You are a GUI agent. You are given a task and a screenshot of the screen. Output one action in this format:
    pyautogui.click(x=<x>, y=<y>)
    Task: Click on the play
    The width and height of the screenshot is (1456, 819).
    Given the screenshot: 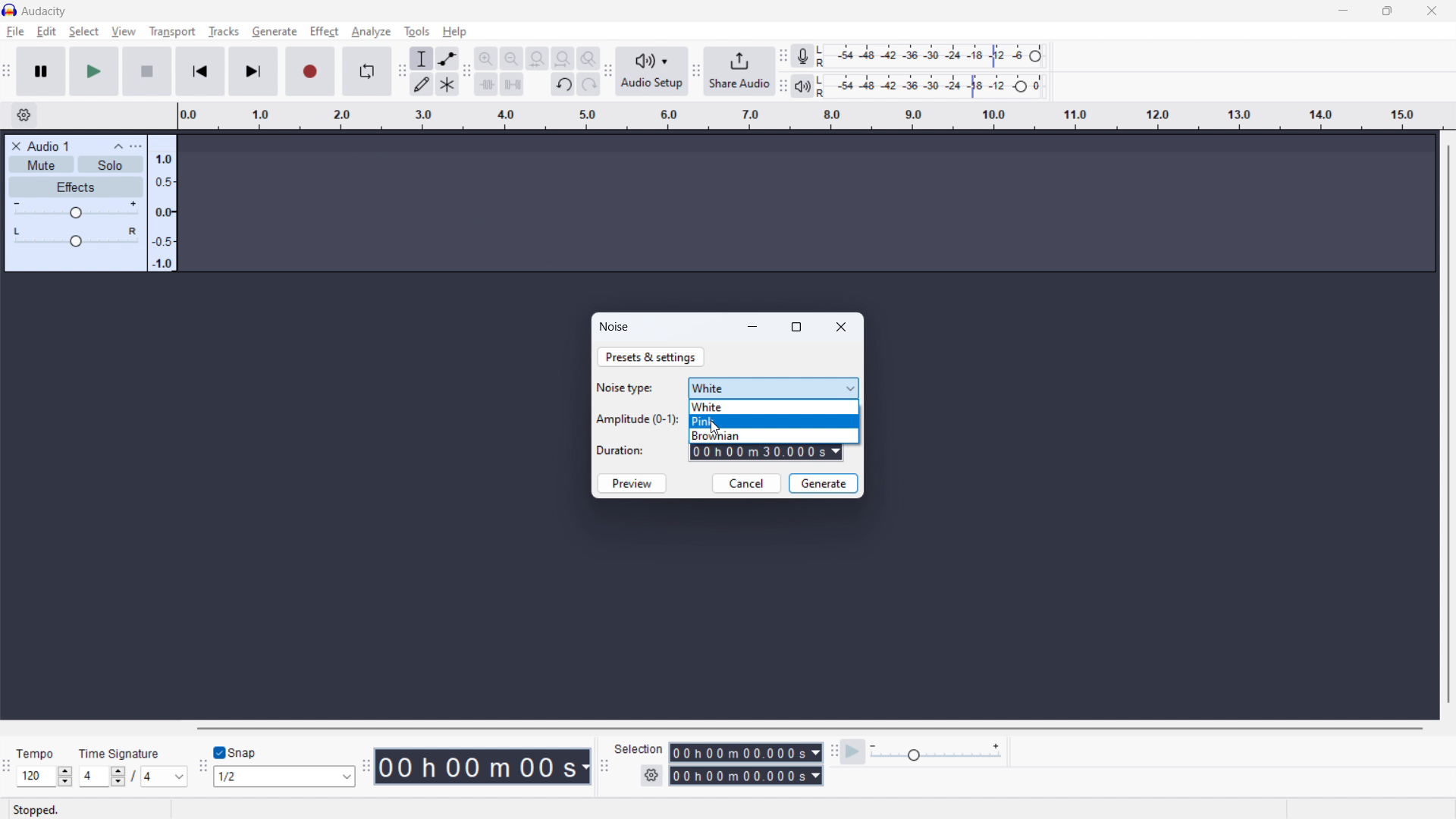 What is the action you would take?
    pyautogui.click(x=94, y=71)
    